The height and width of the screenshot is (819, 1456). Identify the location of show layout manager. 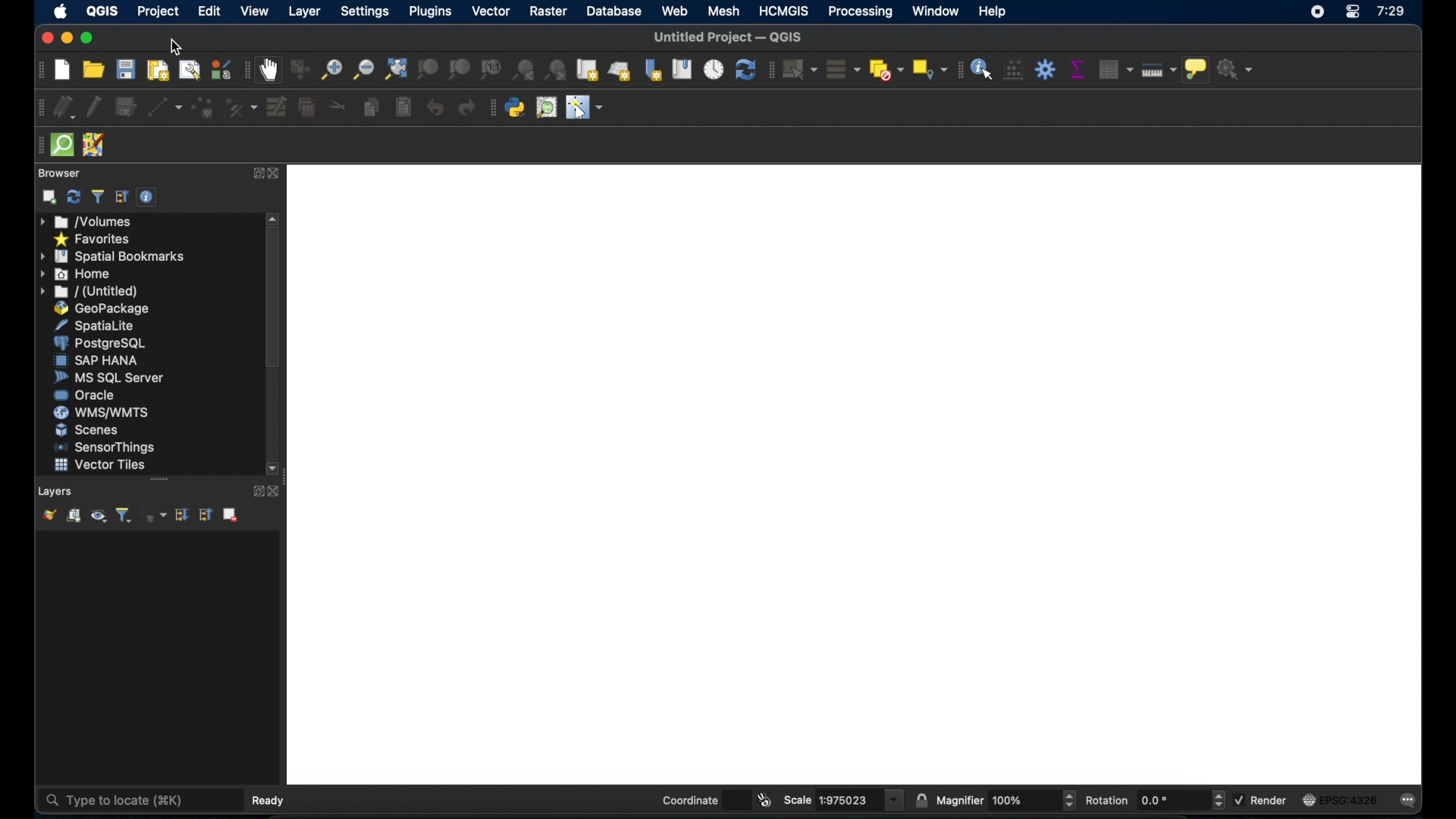
(188, 69).